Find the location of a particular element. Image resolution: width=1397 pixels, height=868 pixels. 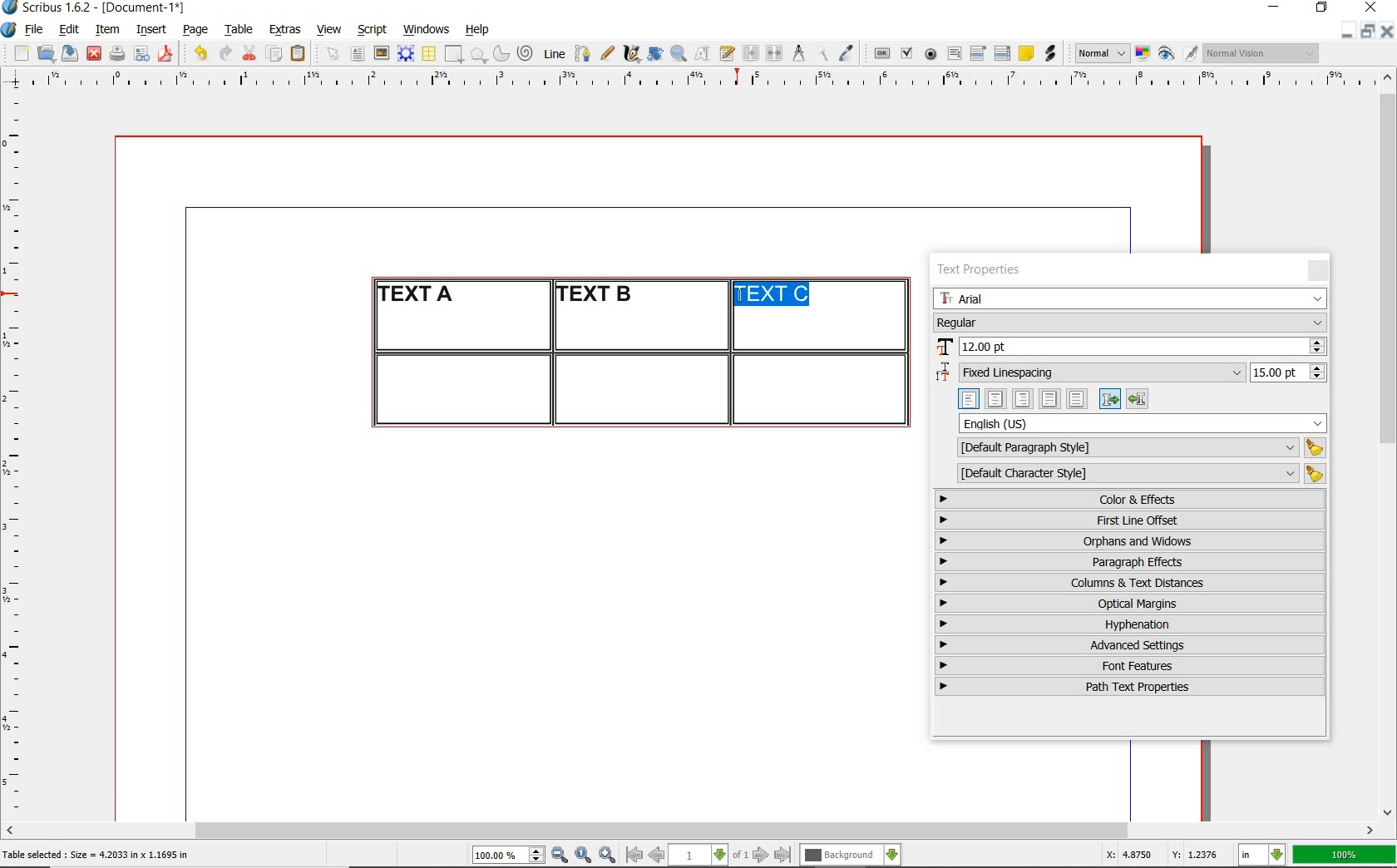

color & effects is located at coordinates (1132, 499).